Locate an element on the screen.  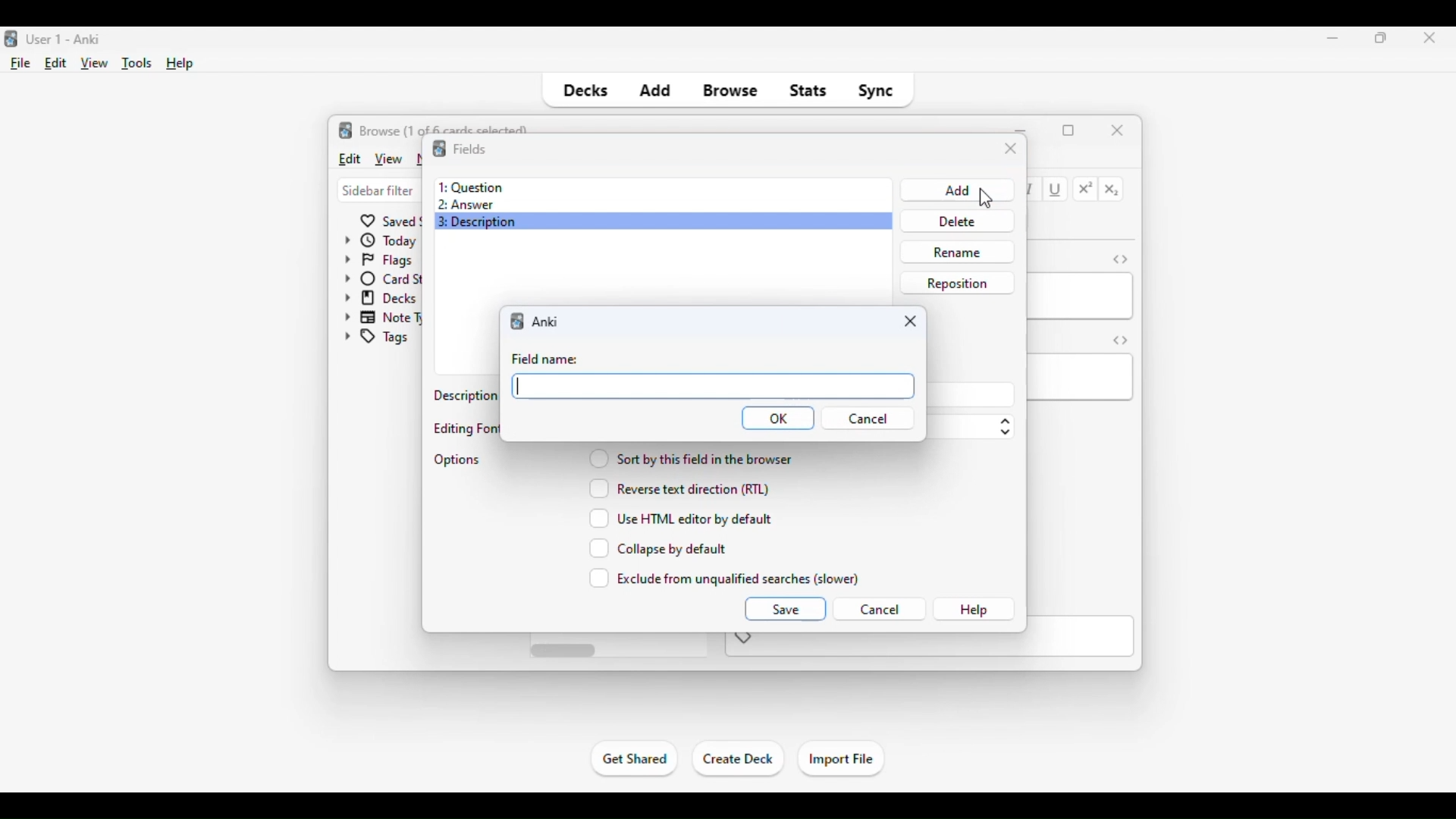
subscript is located at coordinates (1112, 190).